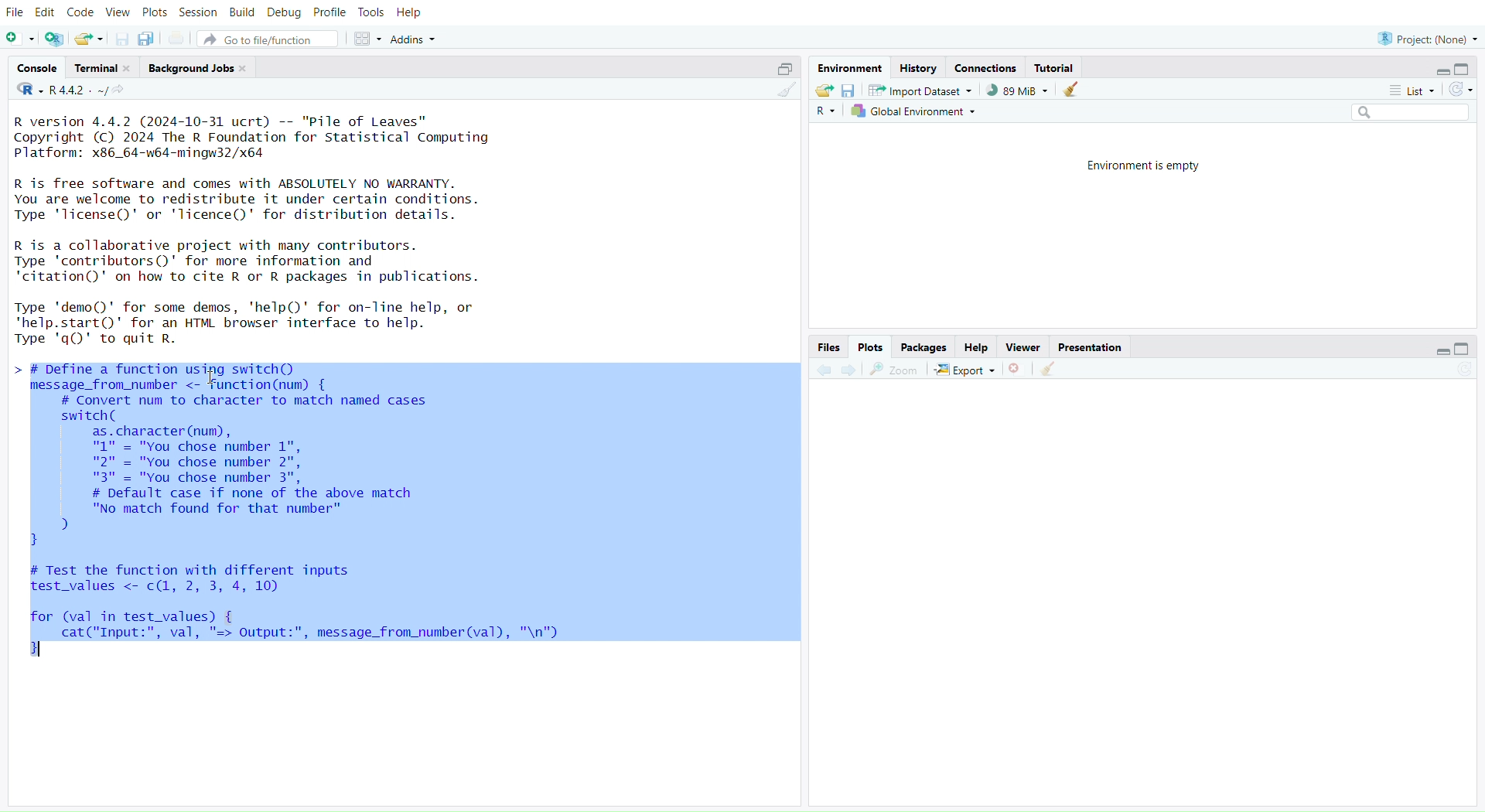  What do you see at coordinates (403, 509) in the screenshot?
I see `> # Define a function using switchQ
message_from_number <- “function(num) {
# Convert num to character to match named cases
switch(
as. character (num),
"1" = "You chose number 1",
"2" = "You chose number 2",
"3" = "You chose number 3",
# Default case if none of the above match
"No match found for that number"
d)
3
# Test the function with different inputs
test_values <- c(1, 2, 3, 4, 10)
for (val in test_values) {
cat("Input:", val, "=> Output:", message_from_number(val), "\n")
Bl` at bounding box center [403, 509].